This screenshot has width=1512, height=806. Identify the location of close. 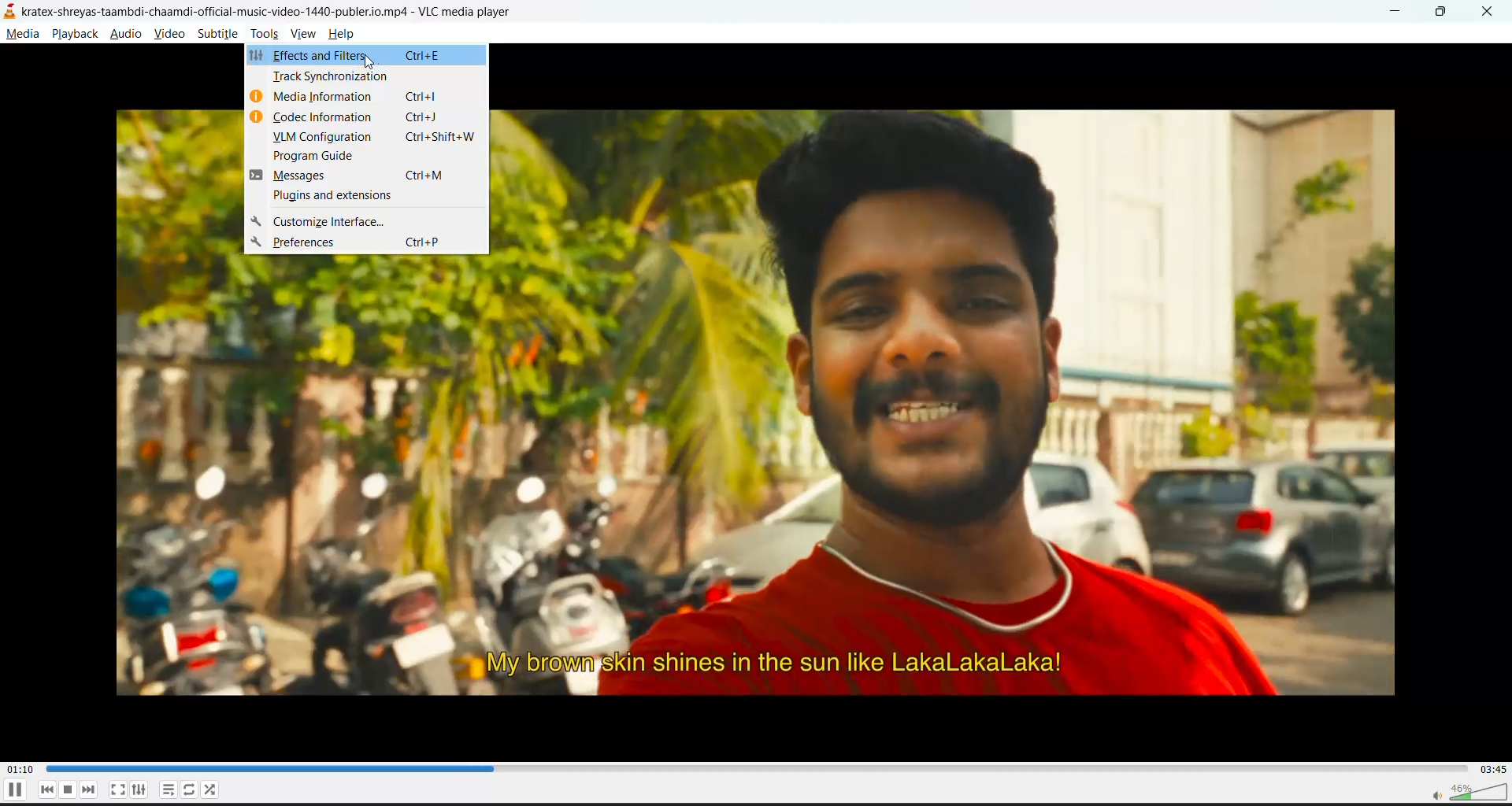
(1488, 13).